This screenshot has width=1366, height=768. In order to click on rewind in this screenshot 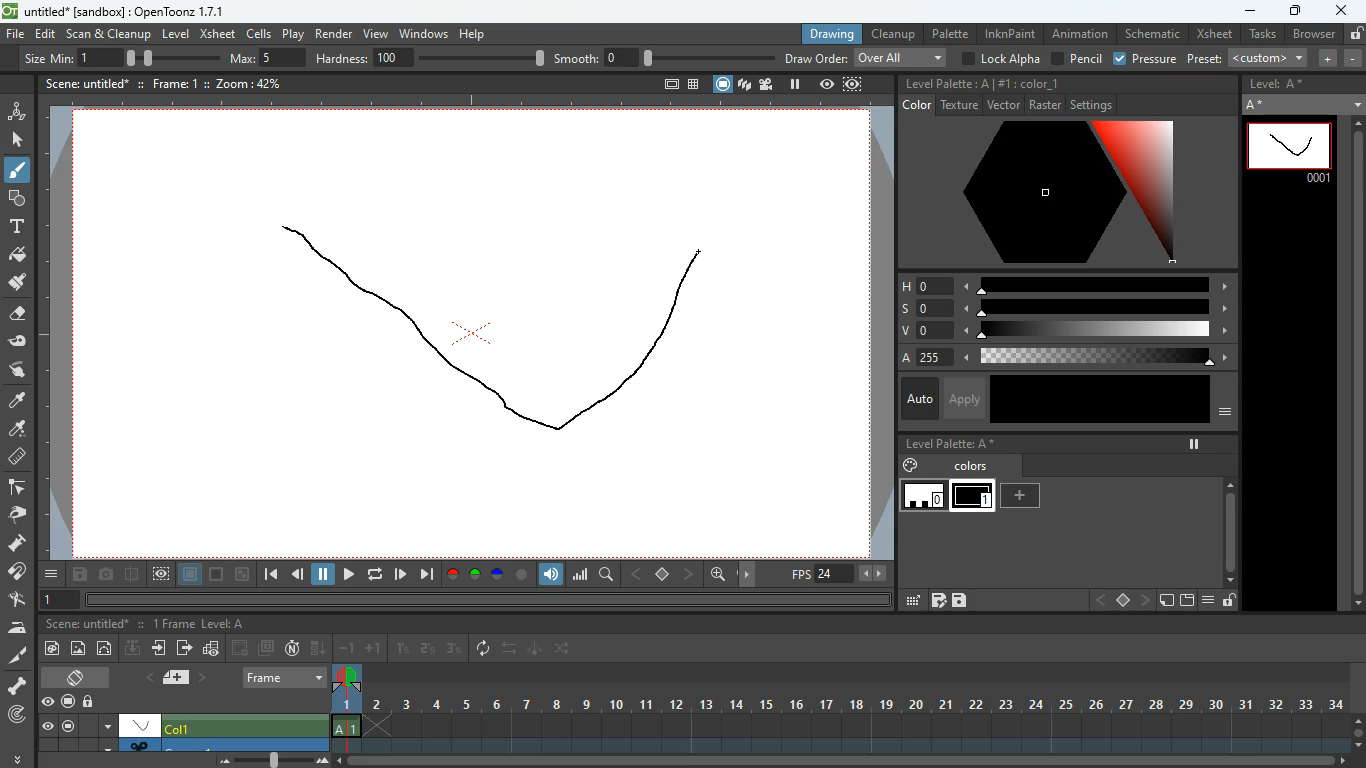, I will do `click(377, 574)`.